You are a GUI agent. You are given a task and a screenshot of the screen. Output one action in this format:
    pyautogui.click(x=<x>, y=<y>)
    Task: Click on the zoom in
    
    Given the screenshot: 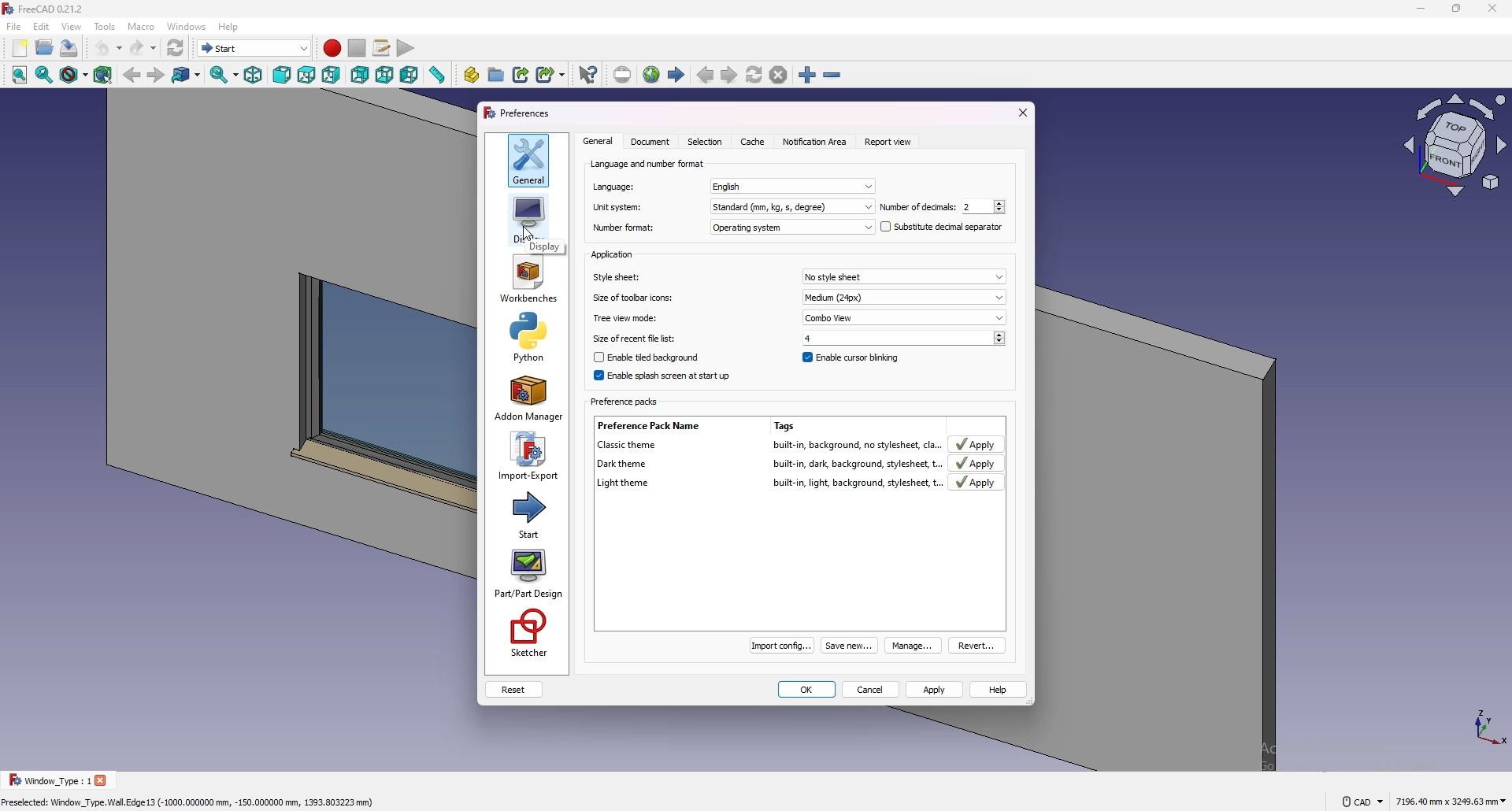 What is the action you would take?
    pyautogui.click(x=807, y=76)
    